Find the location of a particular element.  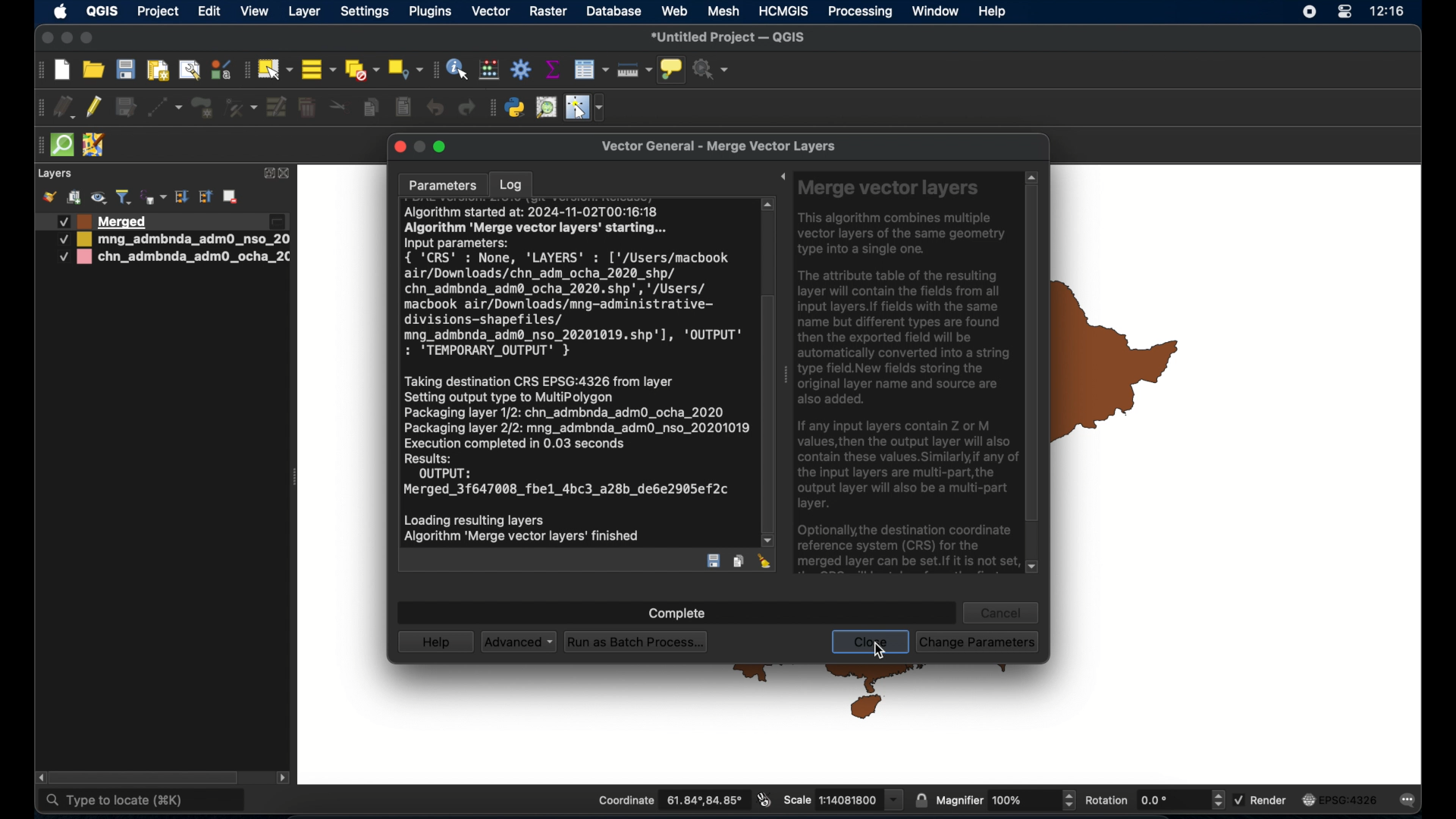

attributes table is located at coordinates (591, 69).